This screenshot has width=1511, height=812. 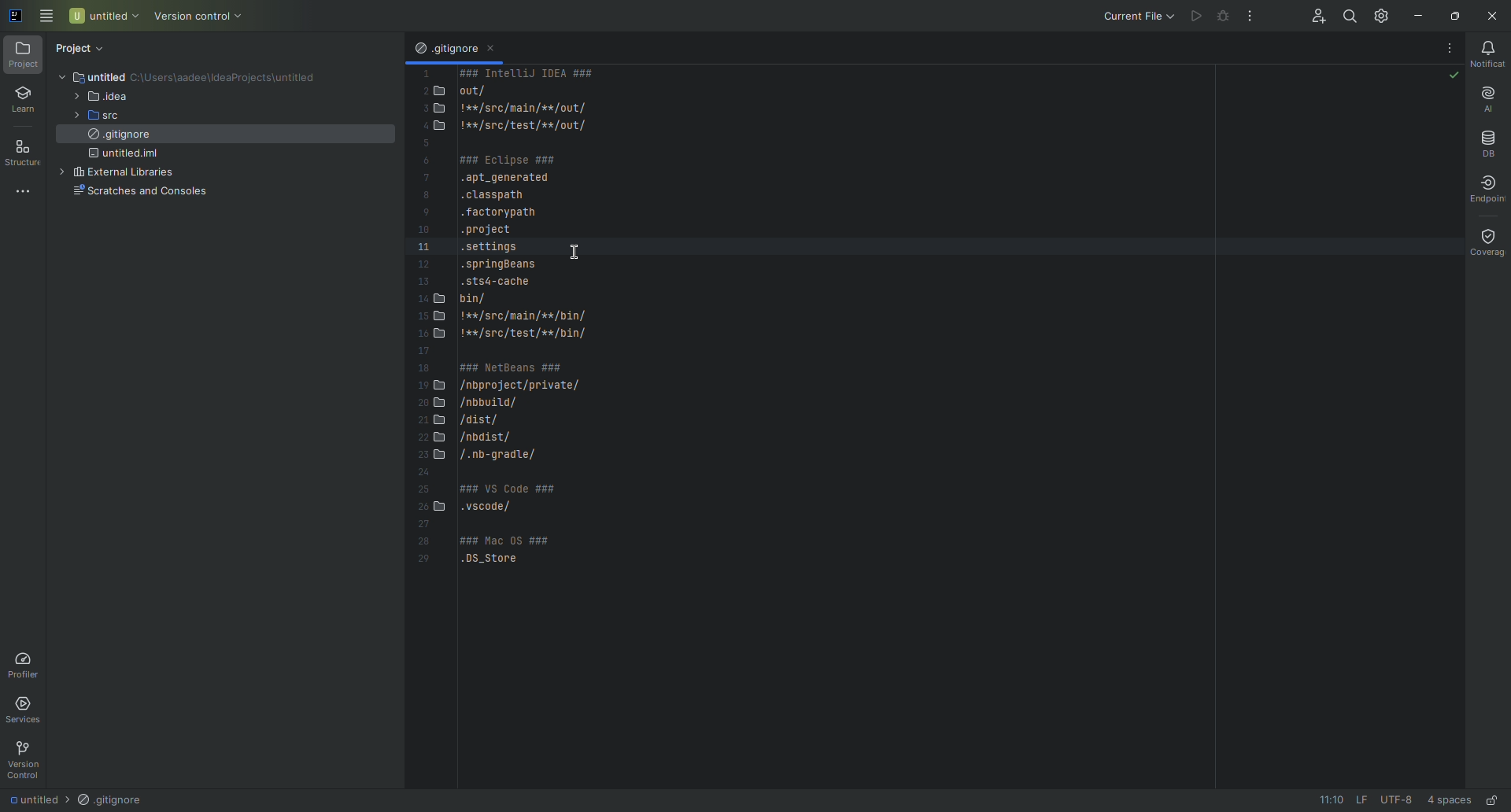 What do you see at coordinates (29, 710) in the screenshot?
I see `Services` at bounding box center [29, 710].